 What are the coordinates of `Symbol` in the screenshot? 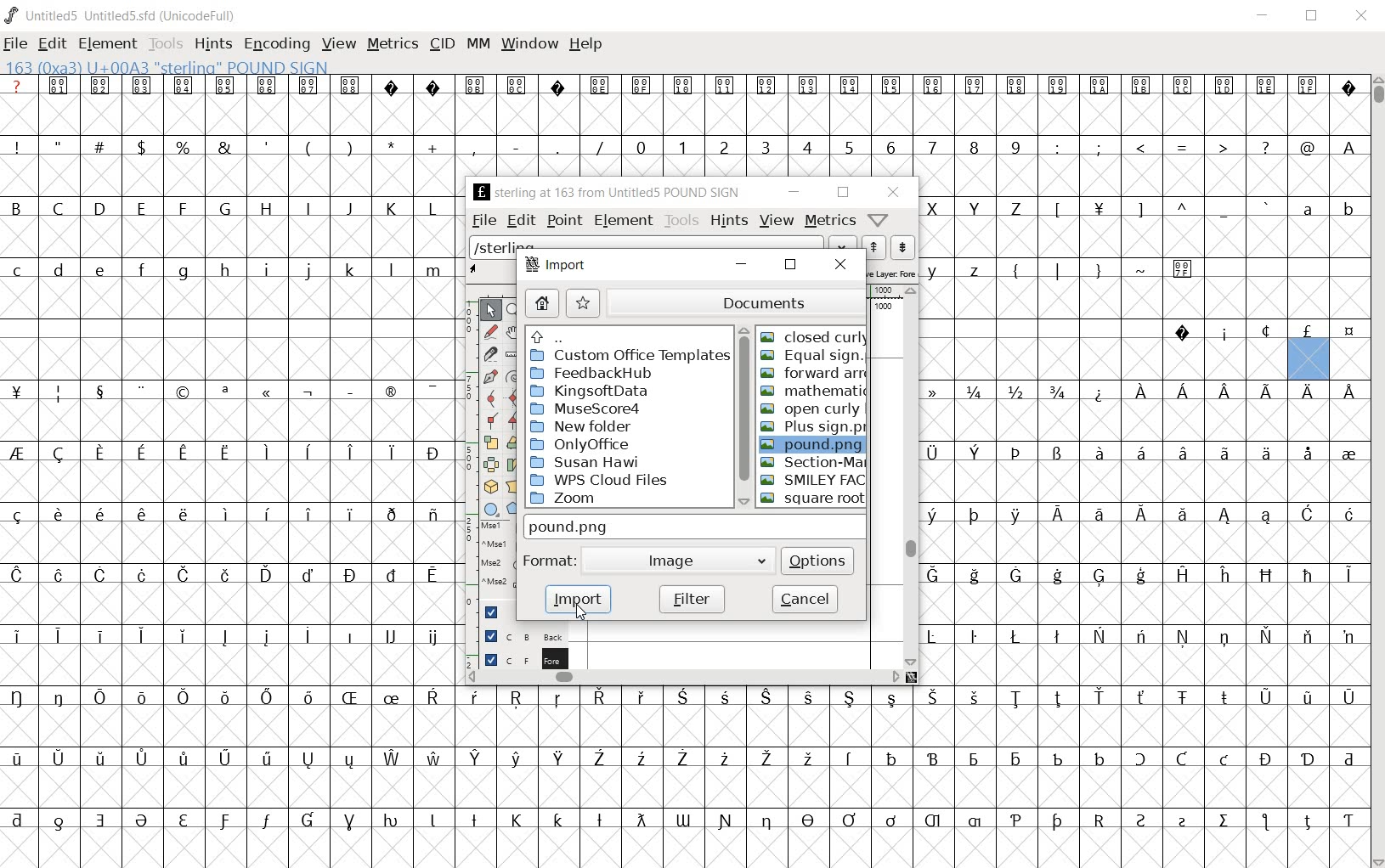 It's located at (20, 576).